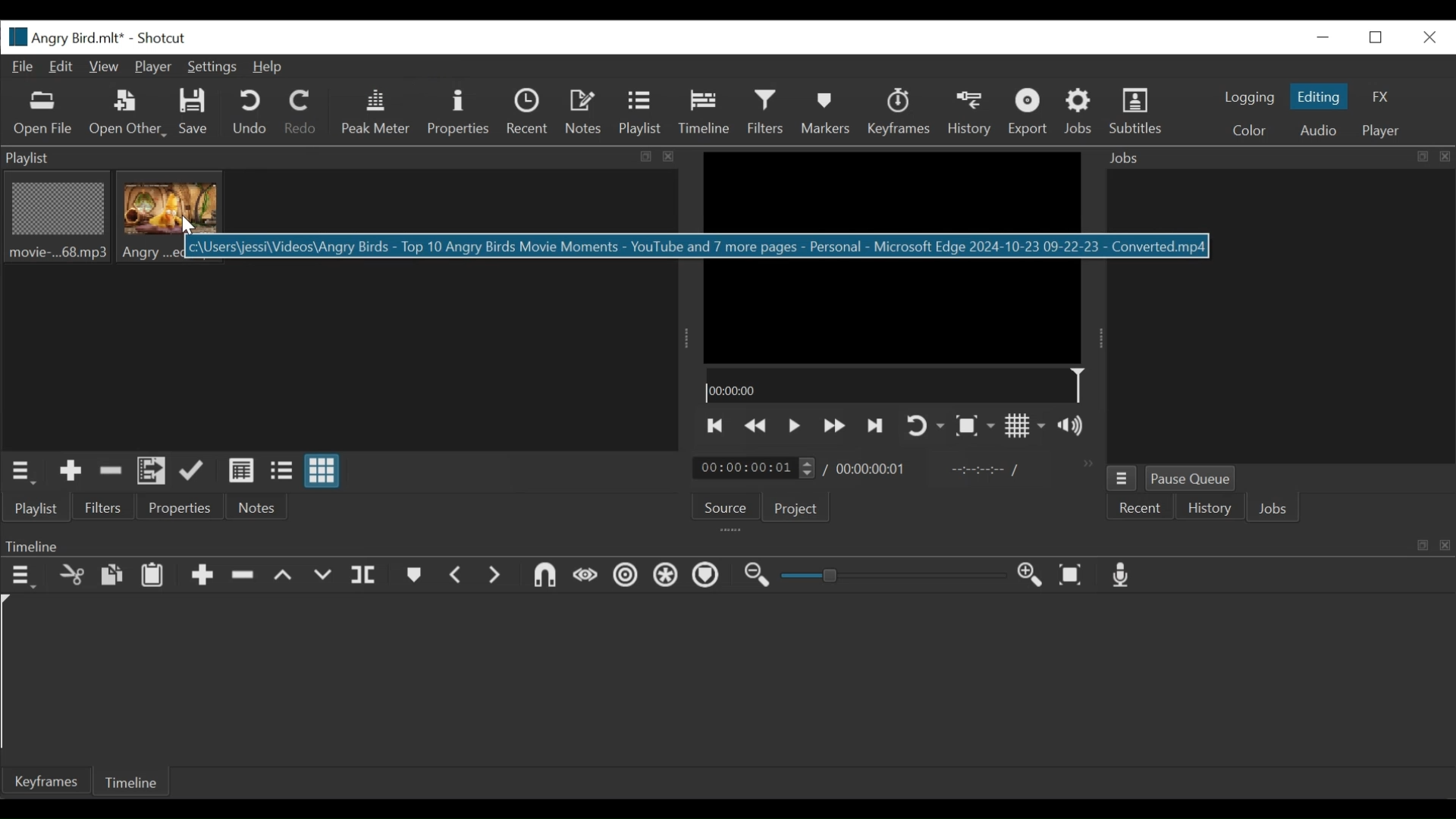 The width and height of the screenshot is (1456, 819). Describe the element at coordinates (833, 427) in the screenshot. I see `Play quickly forward` at that location.